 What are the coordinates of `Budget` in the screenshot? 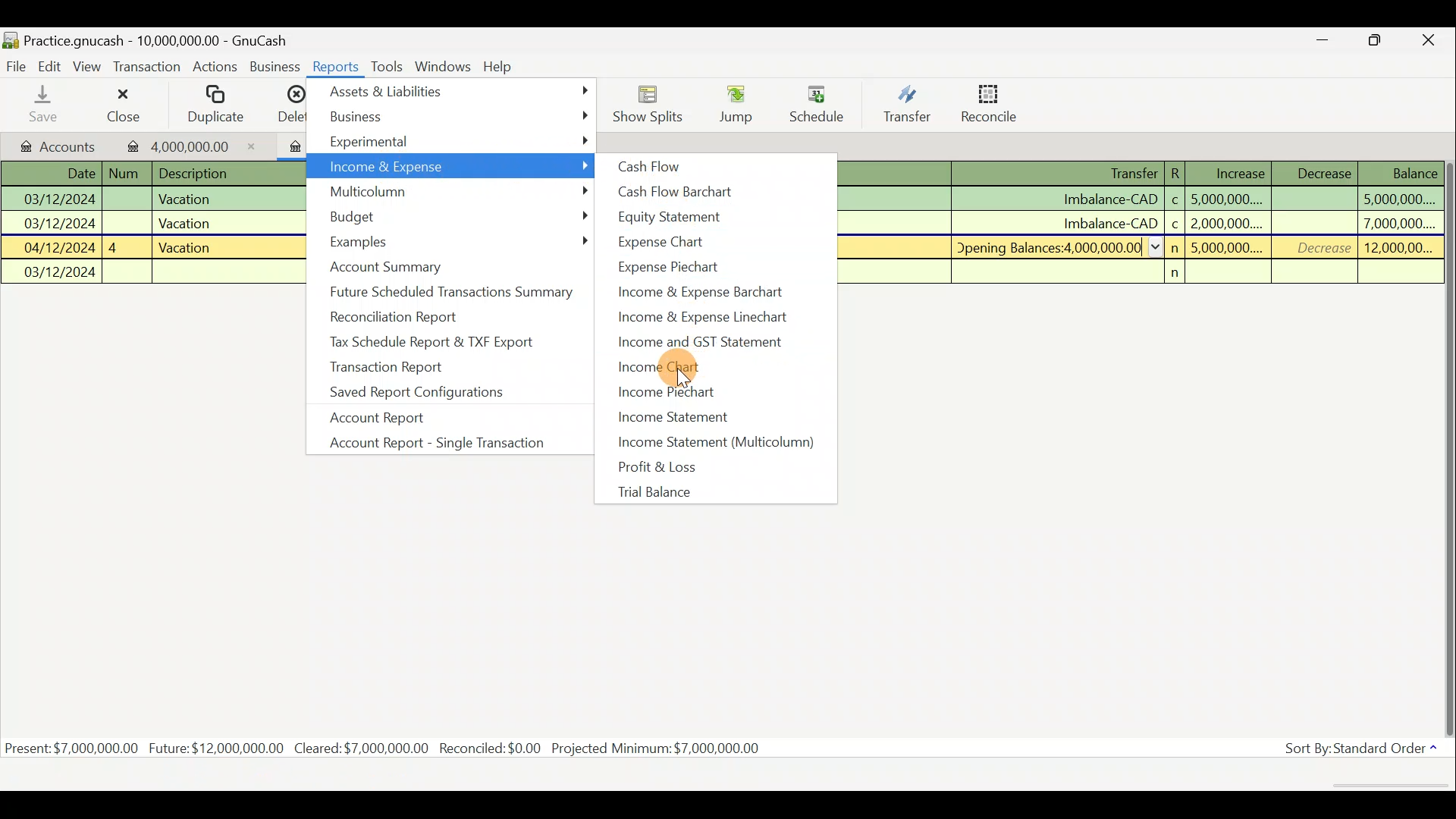 It's located at (456, 215).